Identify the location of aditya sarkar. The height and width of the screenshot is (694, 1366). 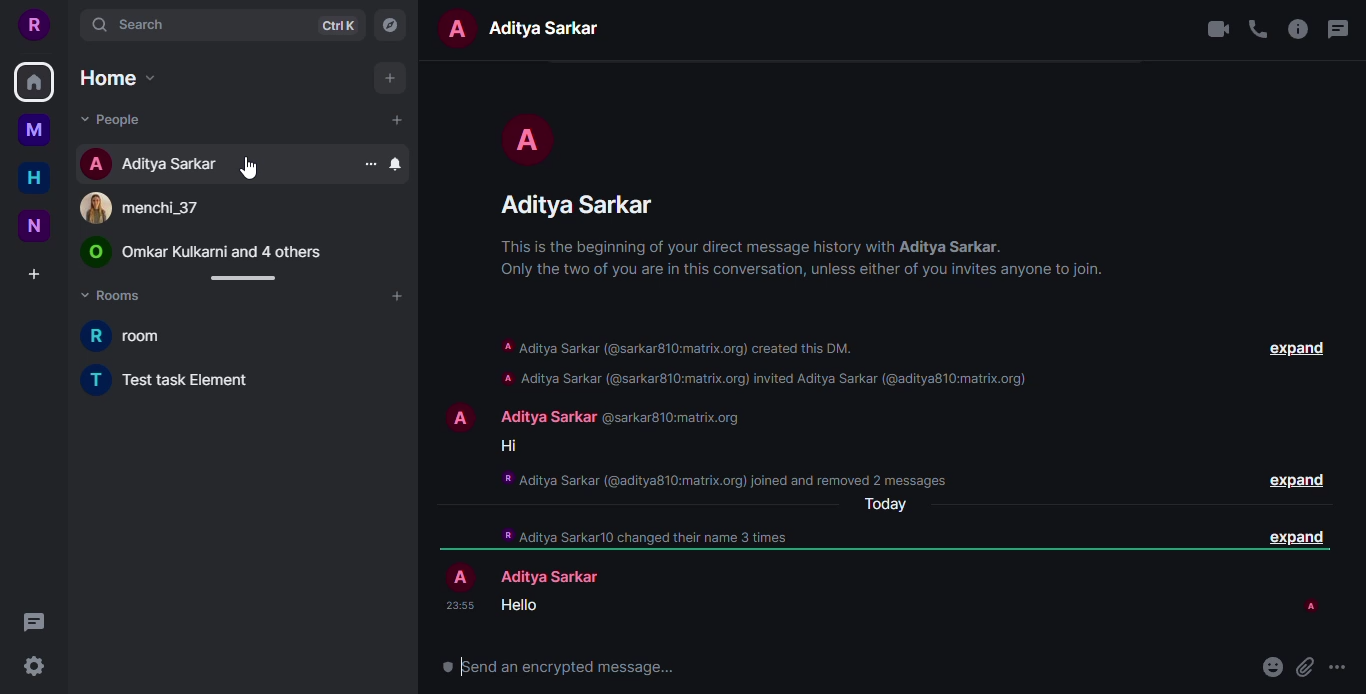
(152, 164).